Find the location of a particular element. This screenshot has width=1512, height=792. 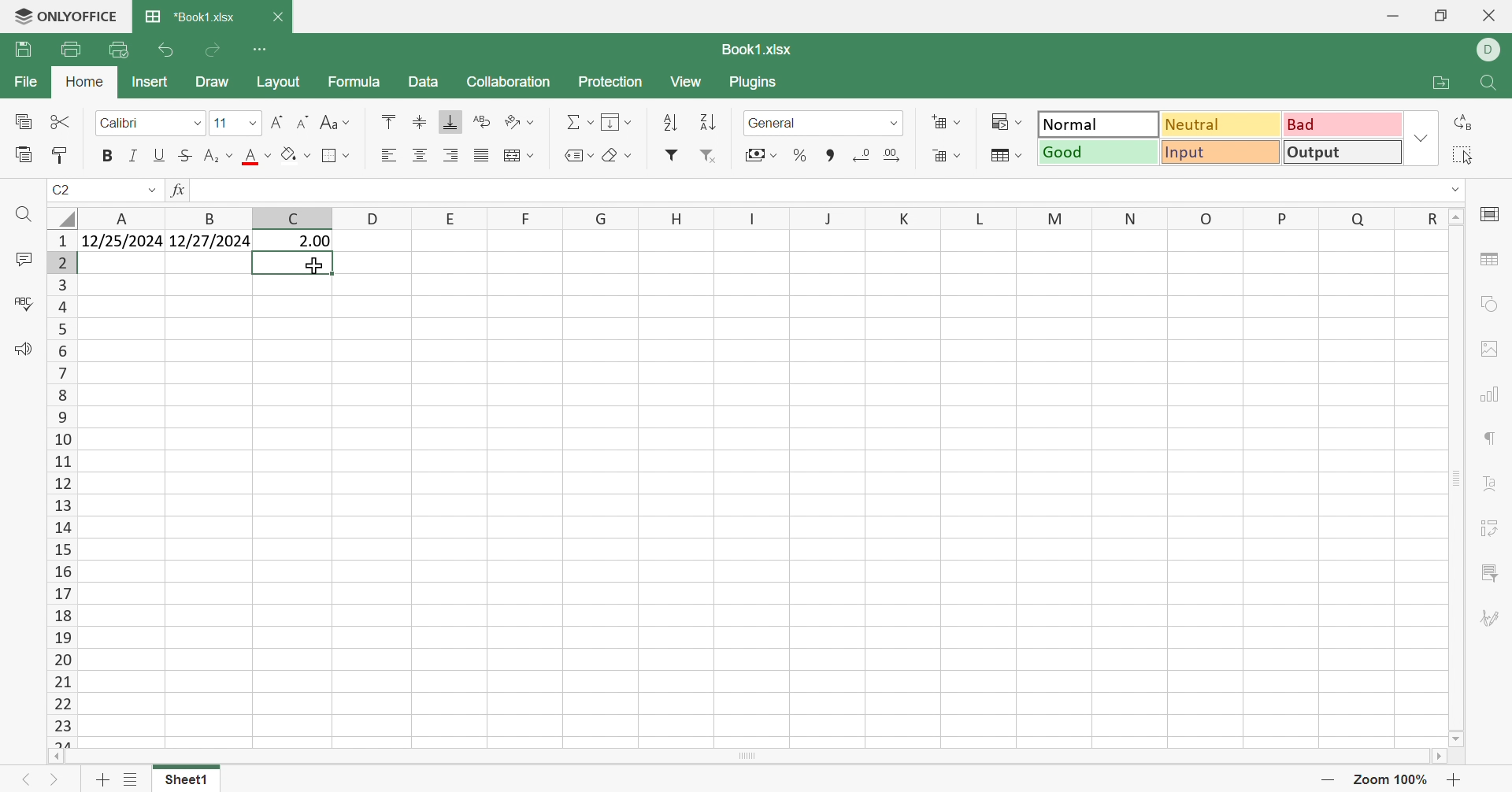

Good is located at coordinates (1095, 153).